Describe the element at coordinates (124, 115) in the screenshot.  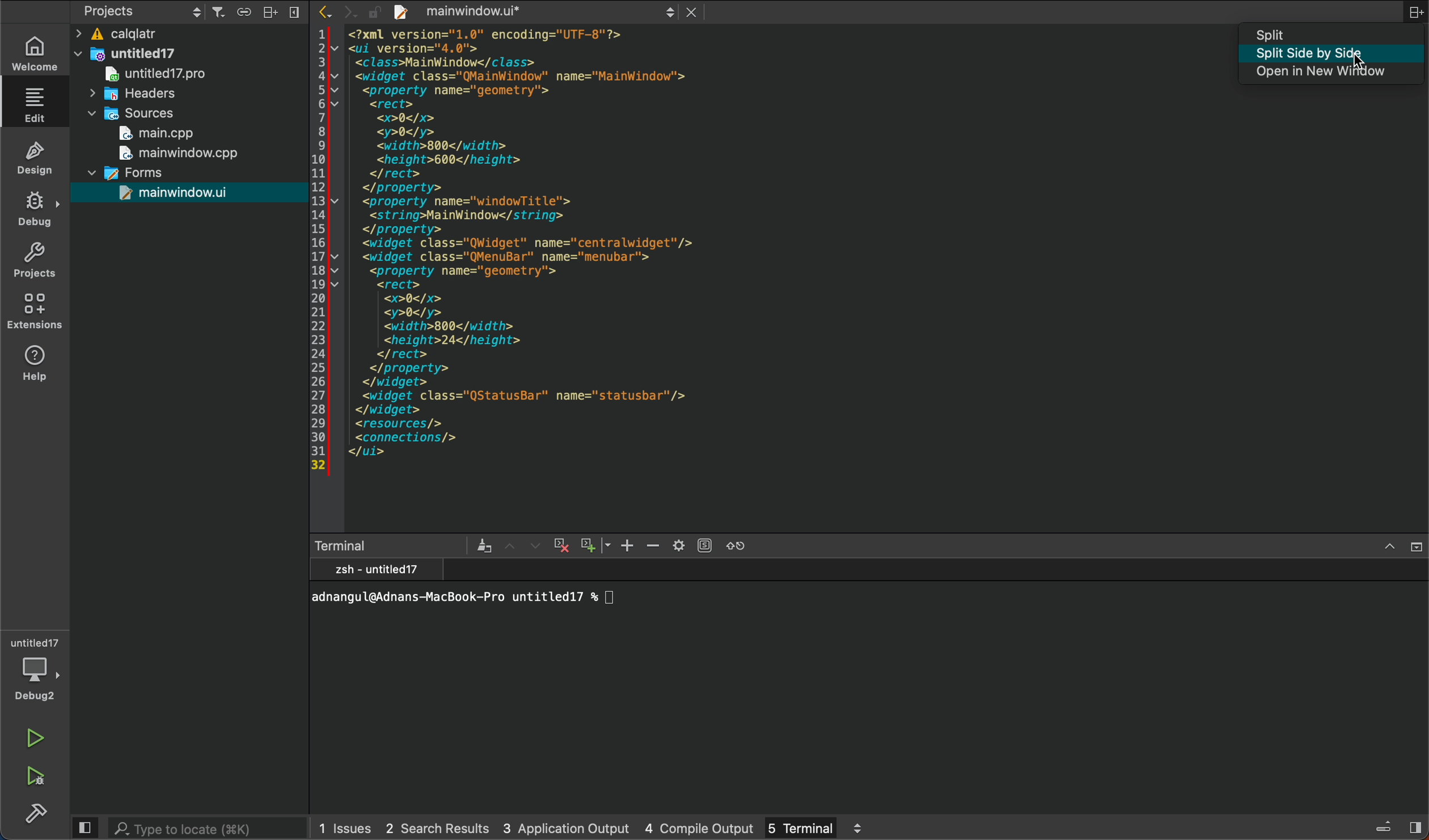
I see `sources` at that location.